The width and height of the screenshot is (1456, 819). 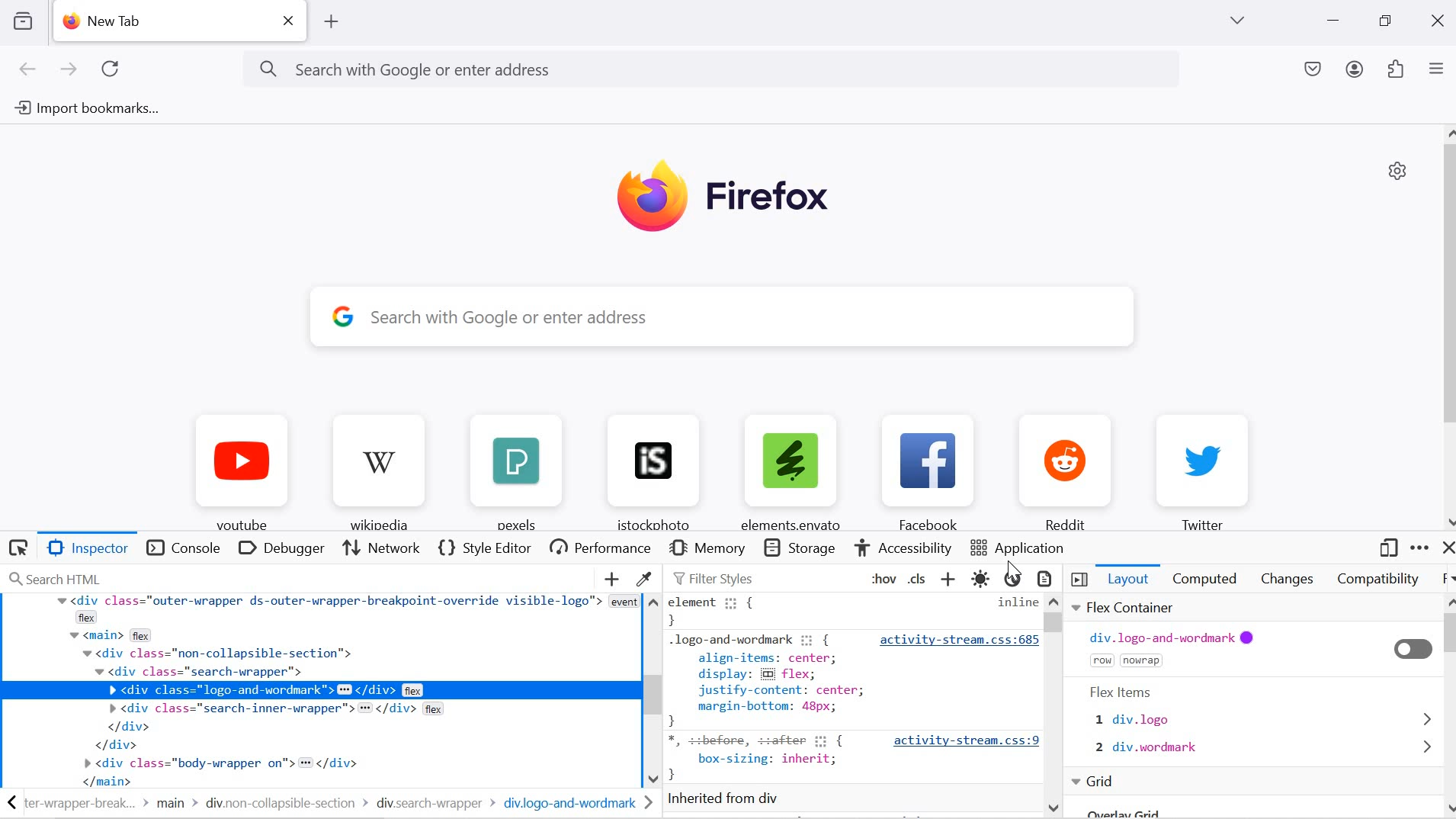 I want to click on Firefox Logo, so click(x=723, y=195).